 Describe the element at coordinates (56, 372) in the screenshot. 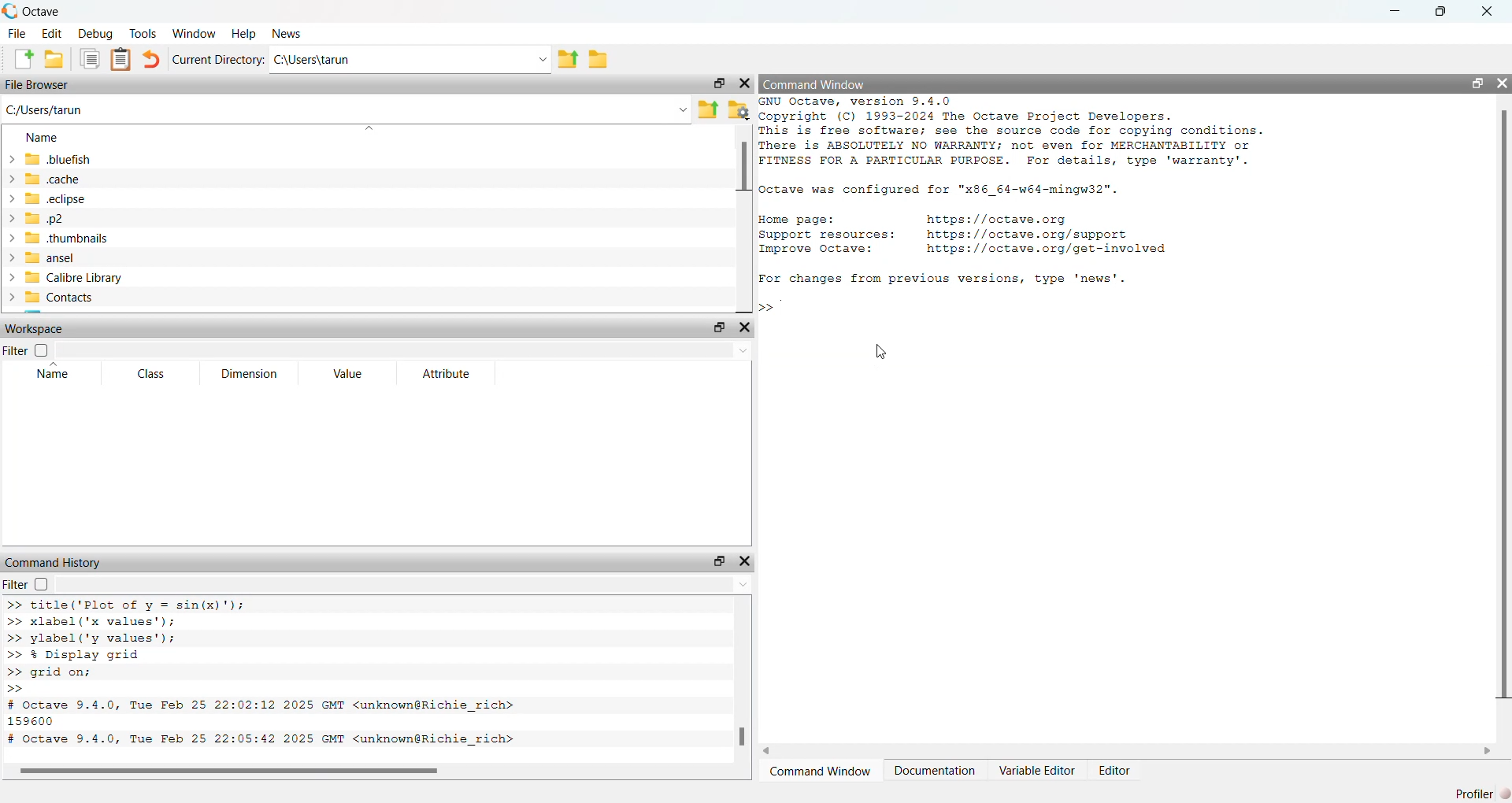

I see `Name` at that location.